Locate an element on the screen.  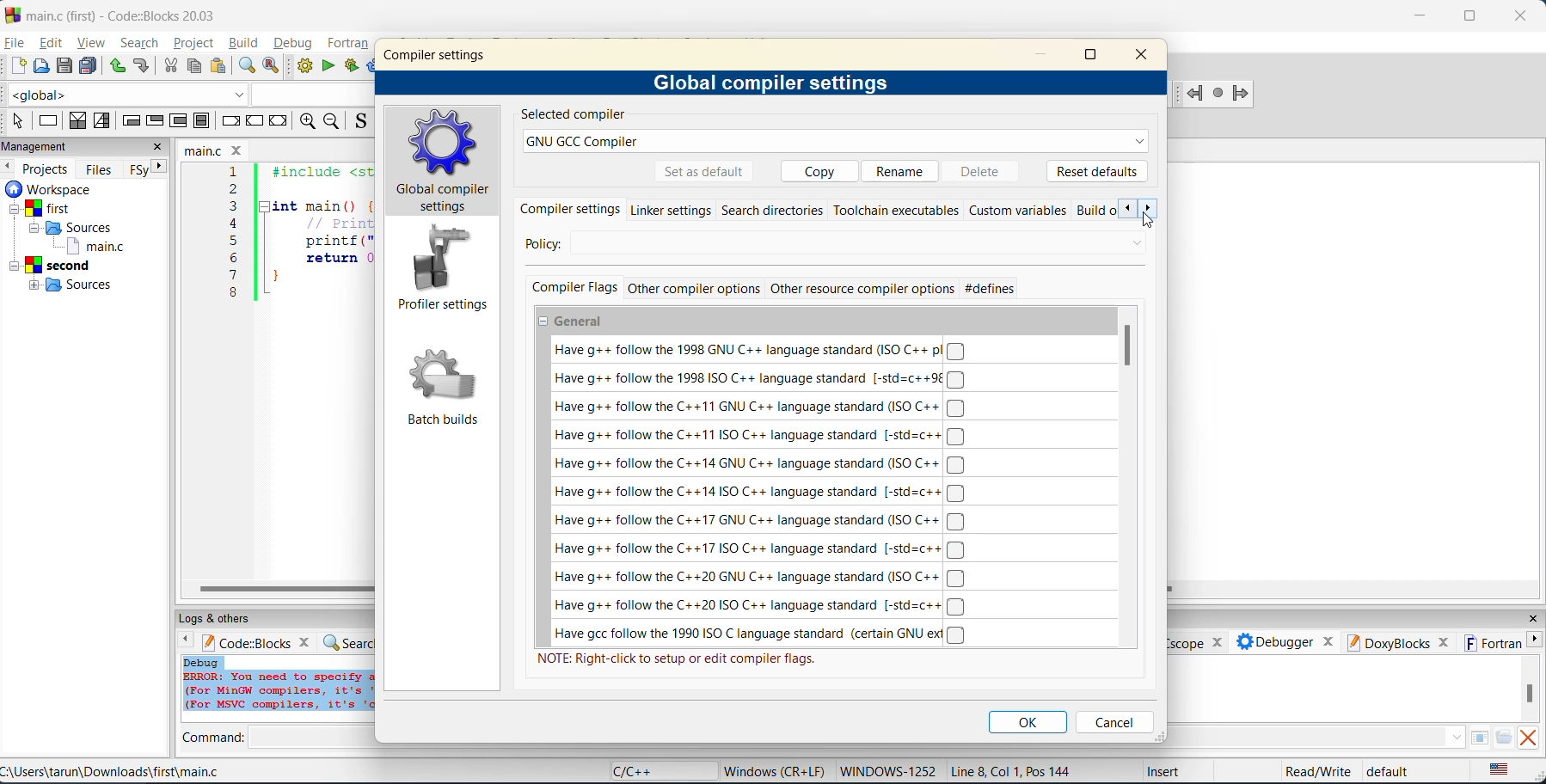
Have g++ follow the C++17 ISO C++ language standard [-std=c++ is located at coordinates (760, 549).